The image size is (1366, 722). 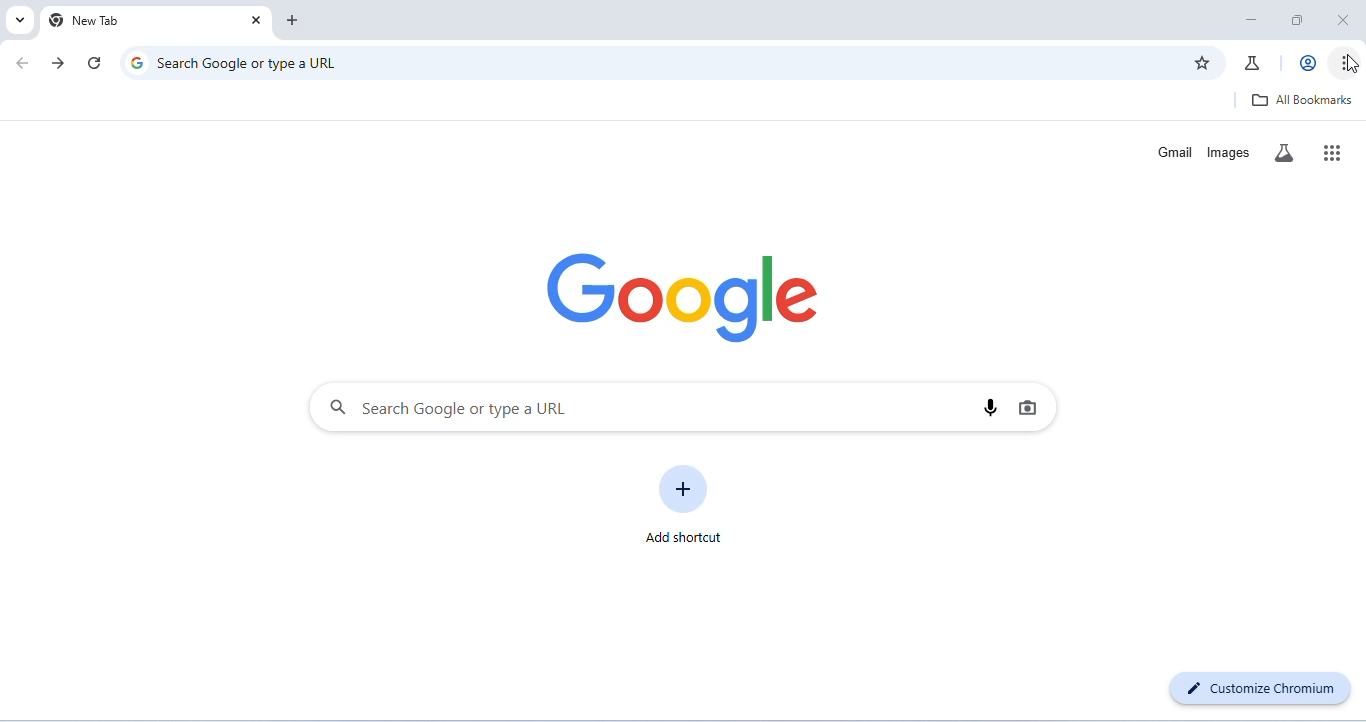 I want to click on all bookmarks, so click(x=1305, y=101).